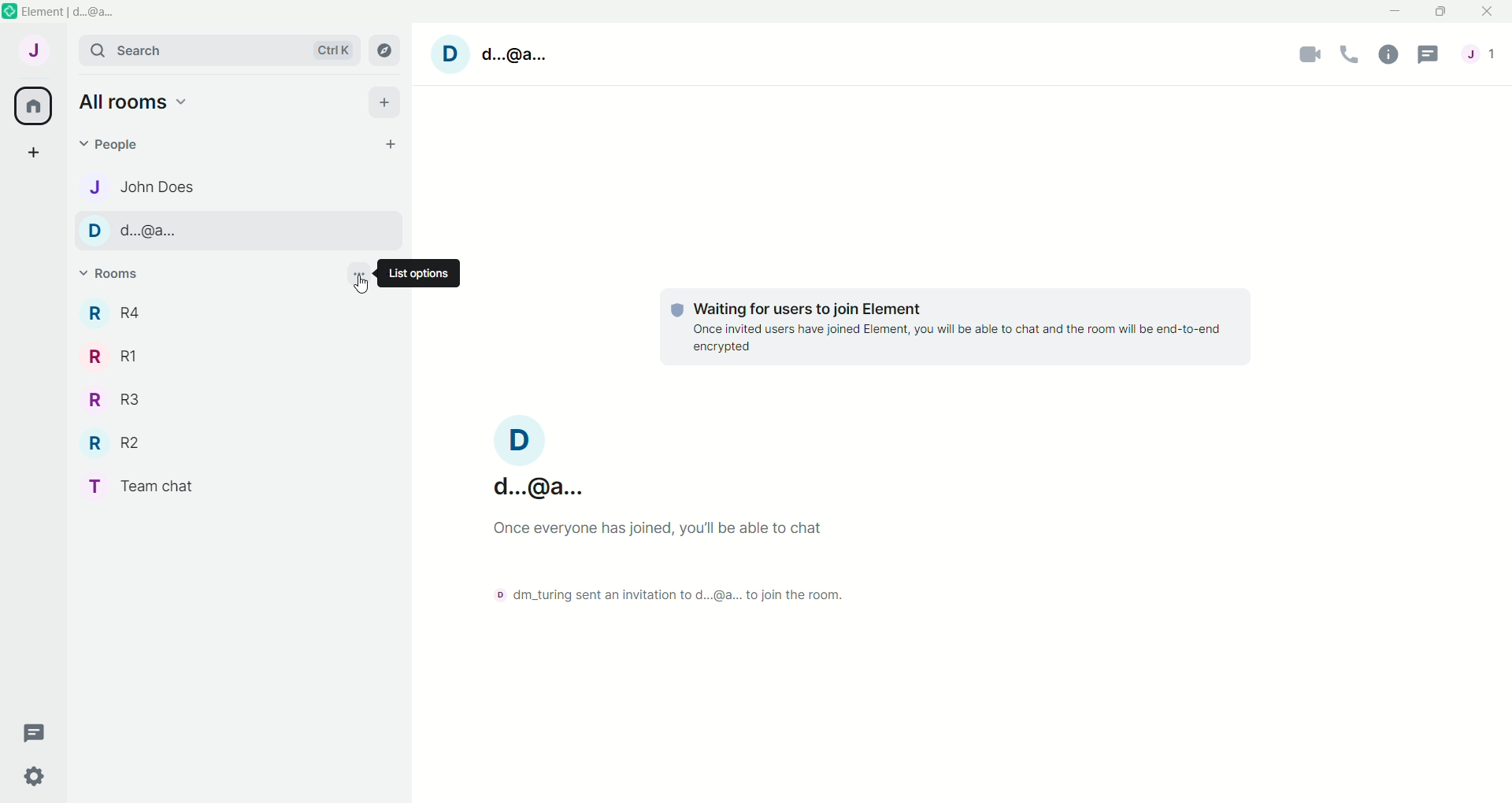 This screenshot has width=1512, height=803. Describe the element at coordinates (516, 56) in the screenshot. I see `d..@a...` at that location.